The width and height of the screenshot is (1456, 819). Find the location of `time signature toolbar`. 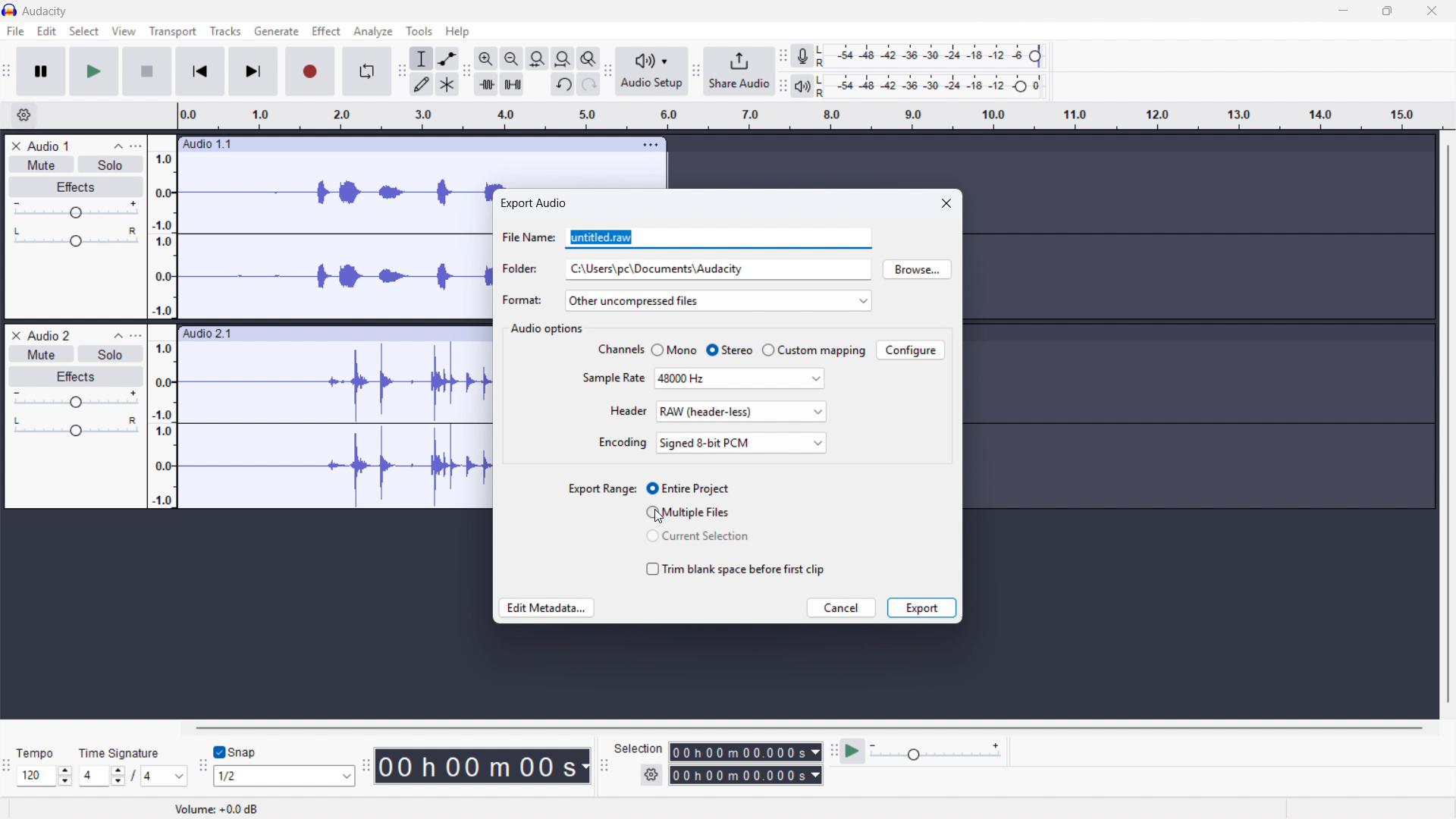

time signature toolbar is located at coordinates (7, 766).